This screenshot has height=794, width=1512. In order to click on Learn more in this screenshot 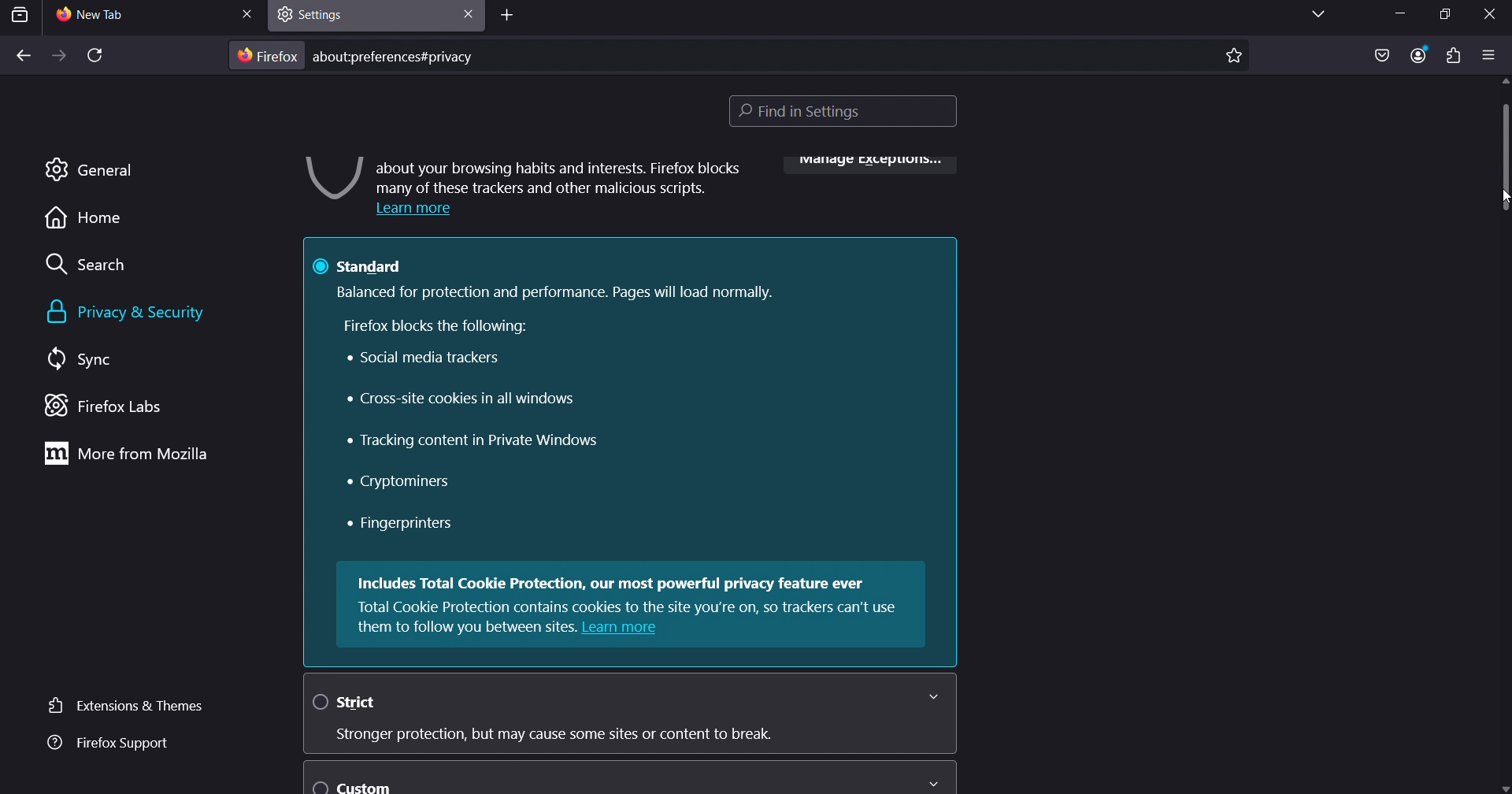, I will do `click(622, 629)`.